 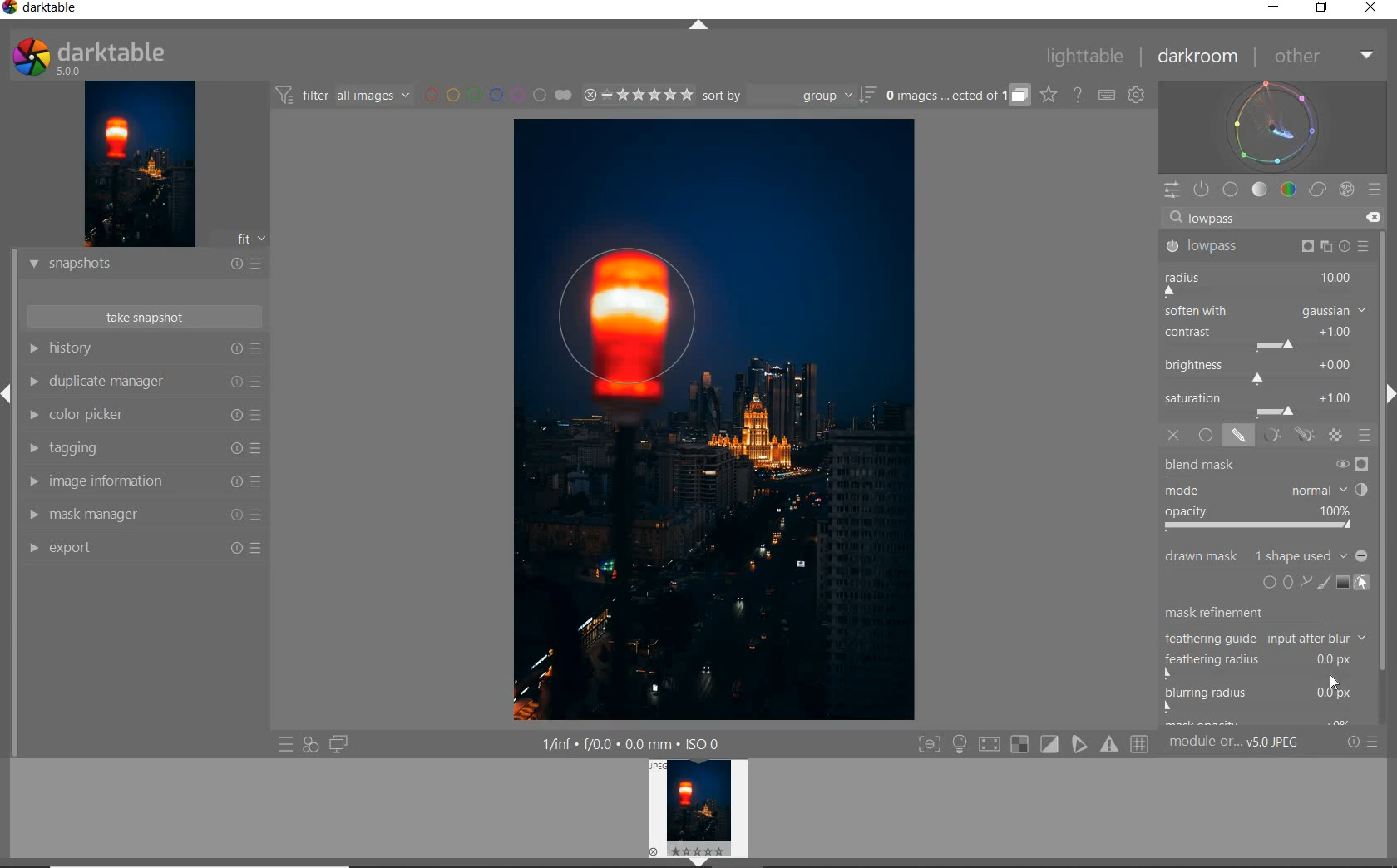 I want to click on BASE, so click(x=1232, y=190).